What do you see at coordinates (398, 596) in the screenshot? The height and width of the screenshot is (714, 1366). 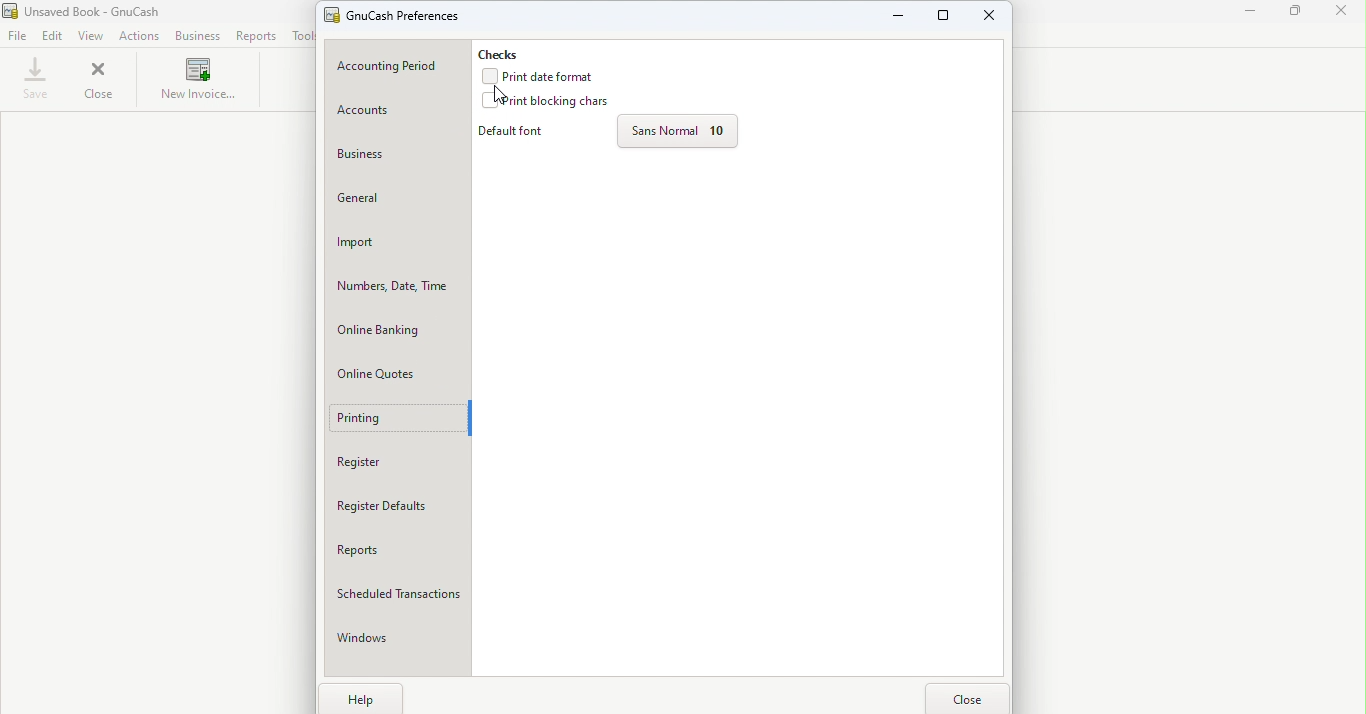 I see `Scheduled Transactions` at bounding box center [398, 596].